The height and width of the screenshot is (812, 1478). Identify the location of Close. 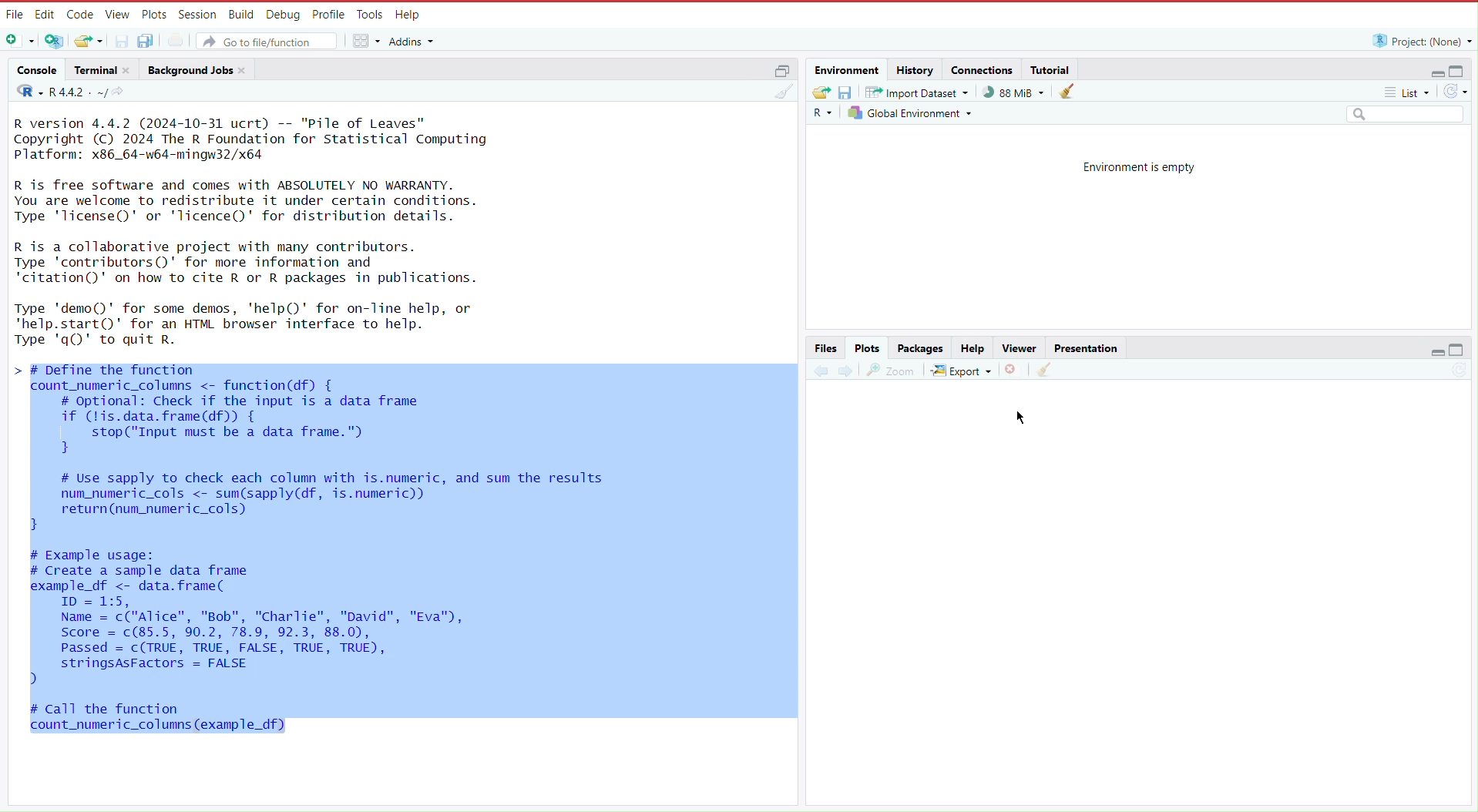
(1013, 368).